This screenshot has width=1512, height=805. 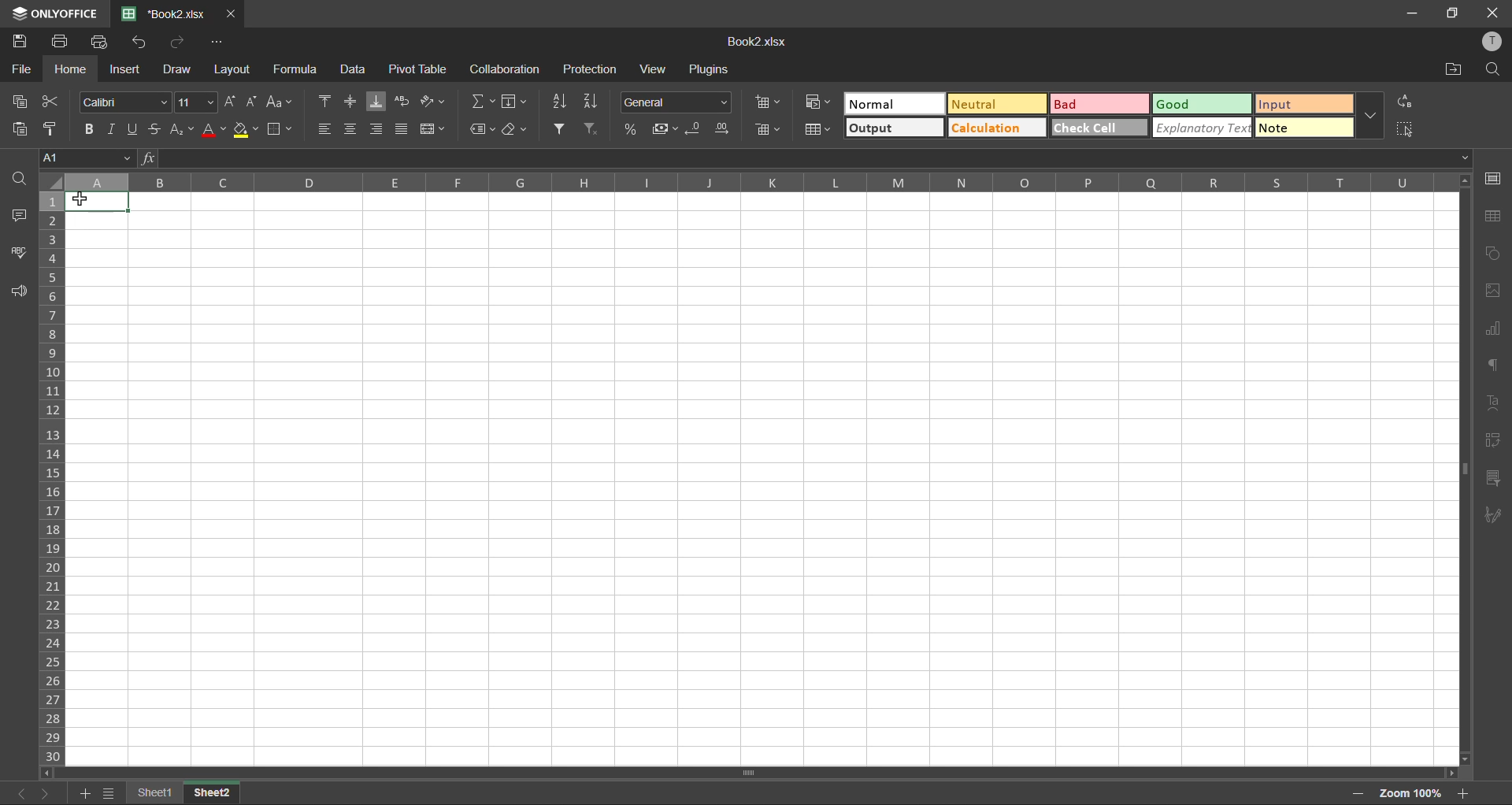 I want to click on sub/superscript, so click(x=180, y=127).